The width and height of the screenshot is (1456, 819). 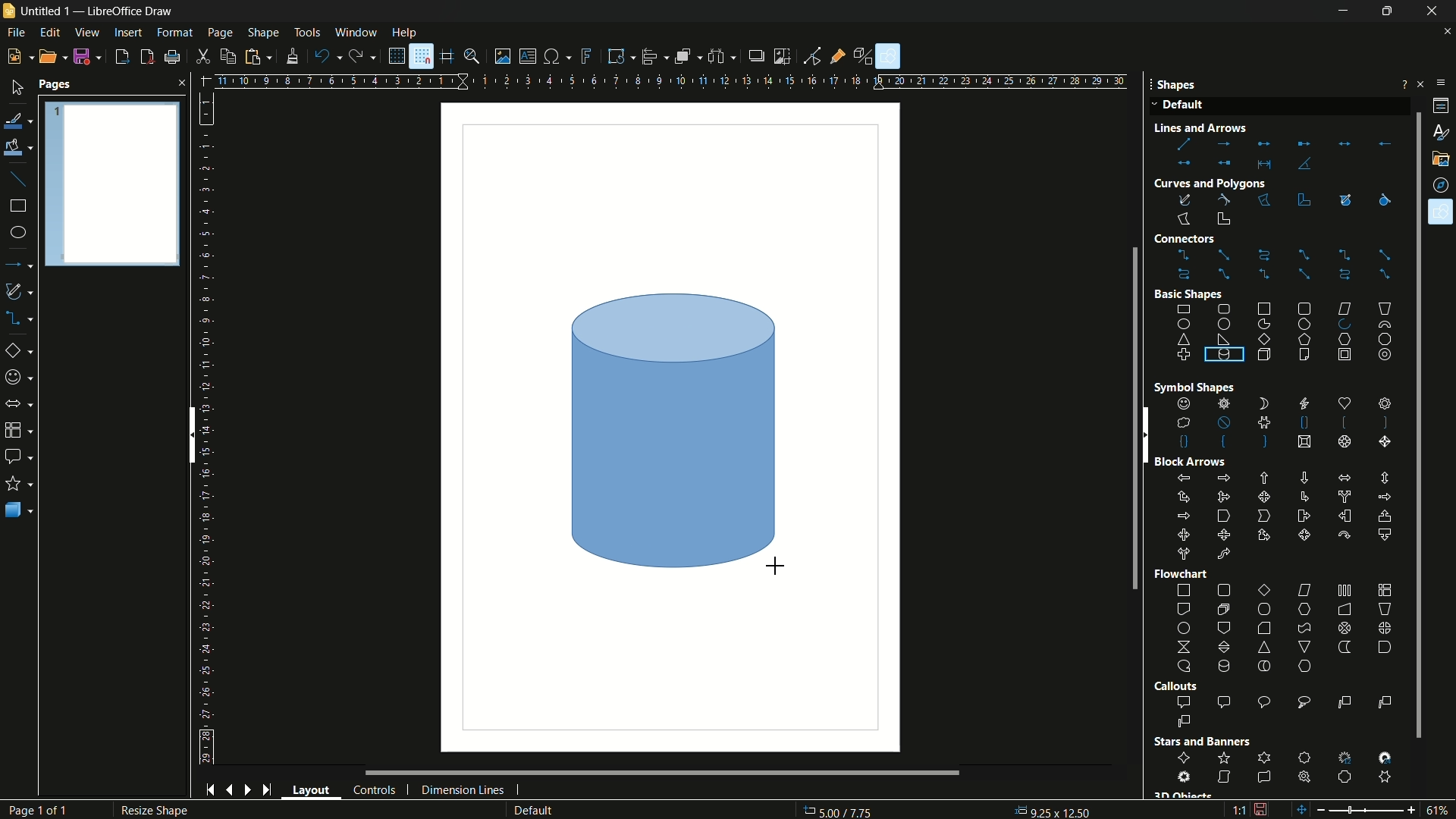 What do you see at coordinates (1413, 808) in the screenshot?
I see `zoom in` at bounding box center [1413, 808].